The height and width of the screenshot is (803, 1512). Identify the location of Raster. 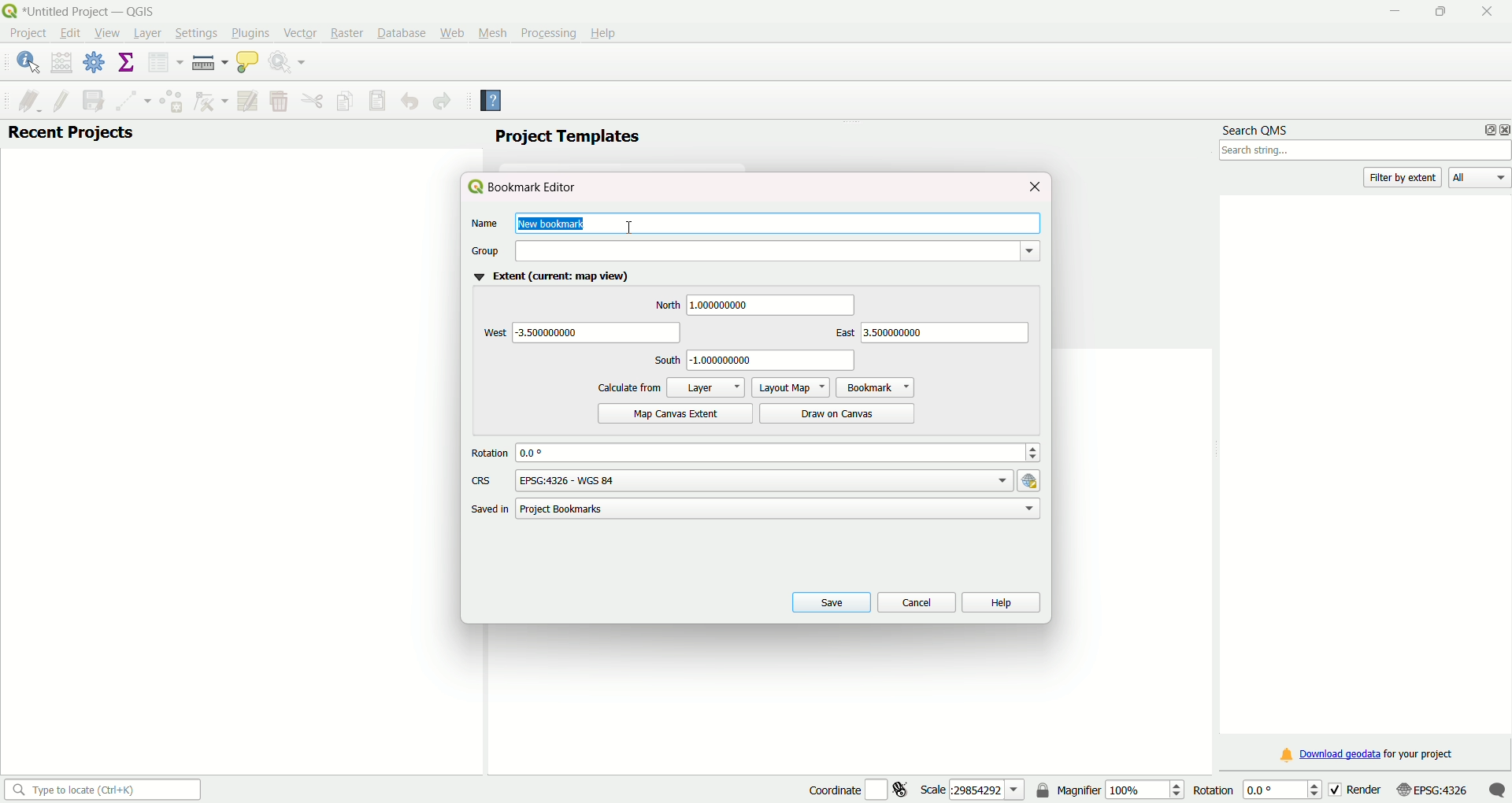
(346, 33).